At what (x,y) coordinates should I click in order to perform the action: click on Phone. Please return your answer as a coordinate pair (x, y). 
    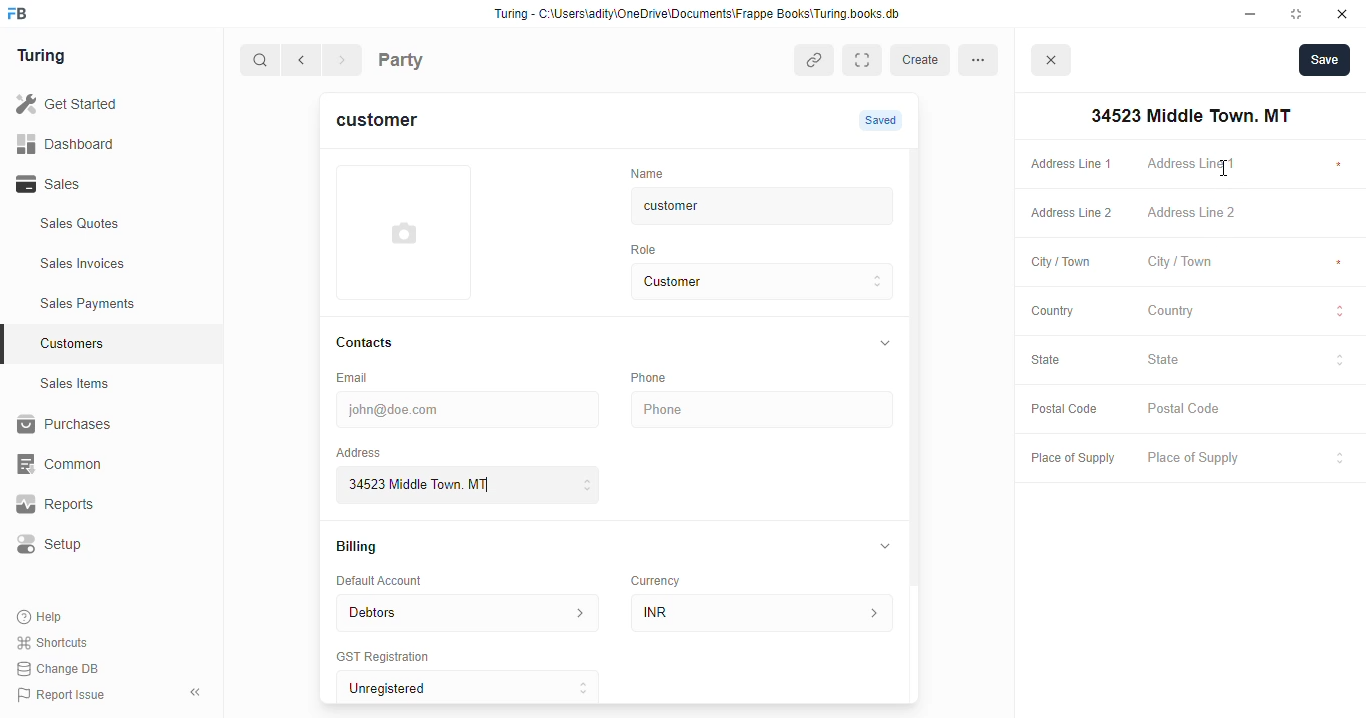
    Looking at the image, I should click on (660, 377).